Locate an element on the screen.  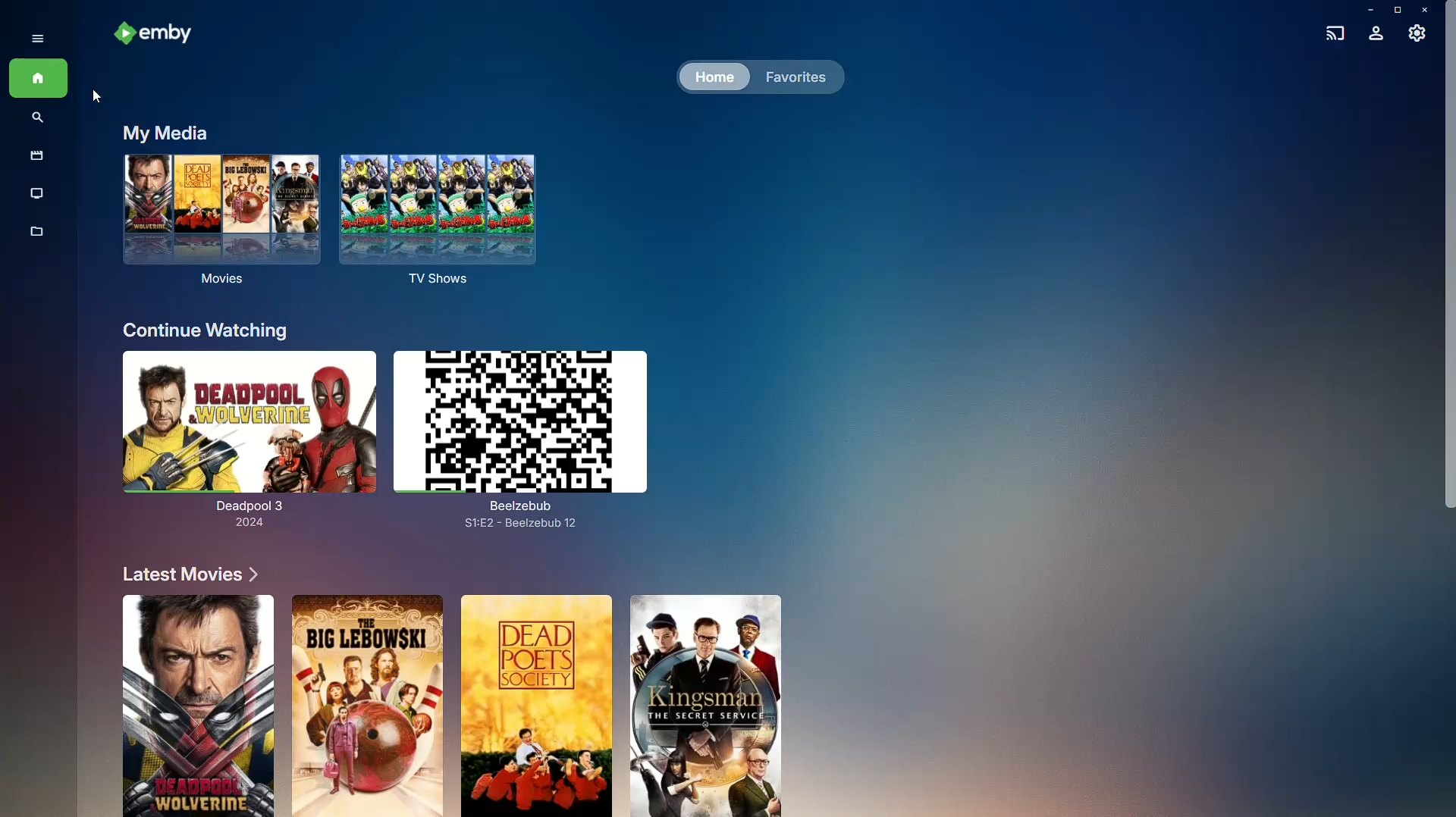
Show menu is located at coordinates (33, 37).